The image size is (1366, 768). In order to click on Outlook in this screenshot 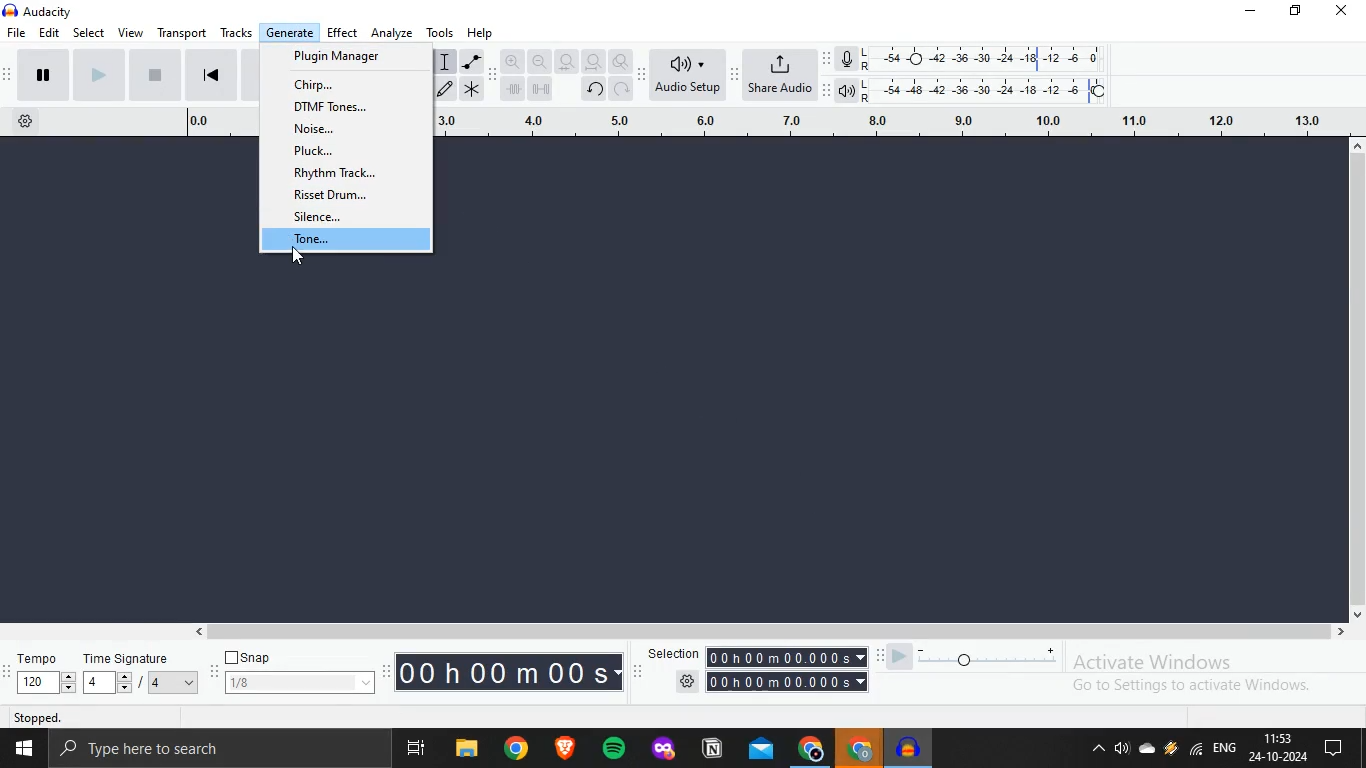, I will do `click(762, 752)`.